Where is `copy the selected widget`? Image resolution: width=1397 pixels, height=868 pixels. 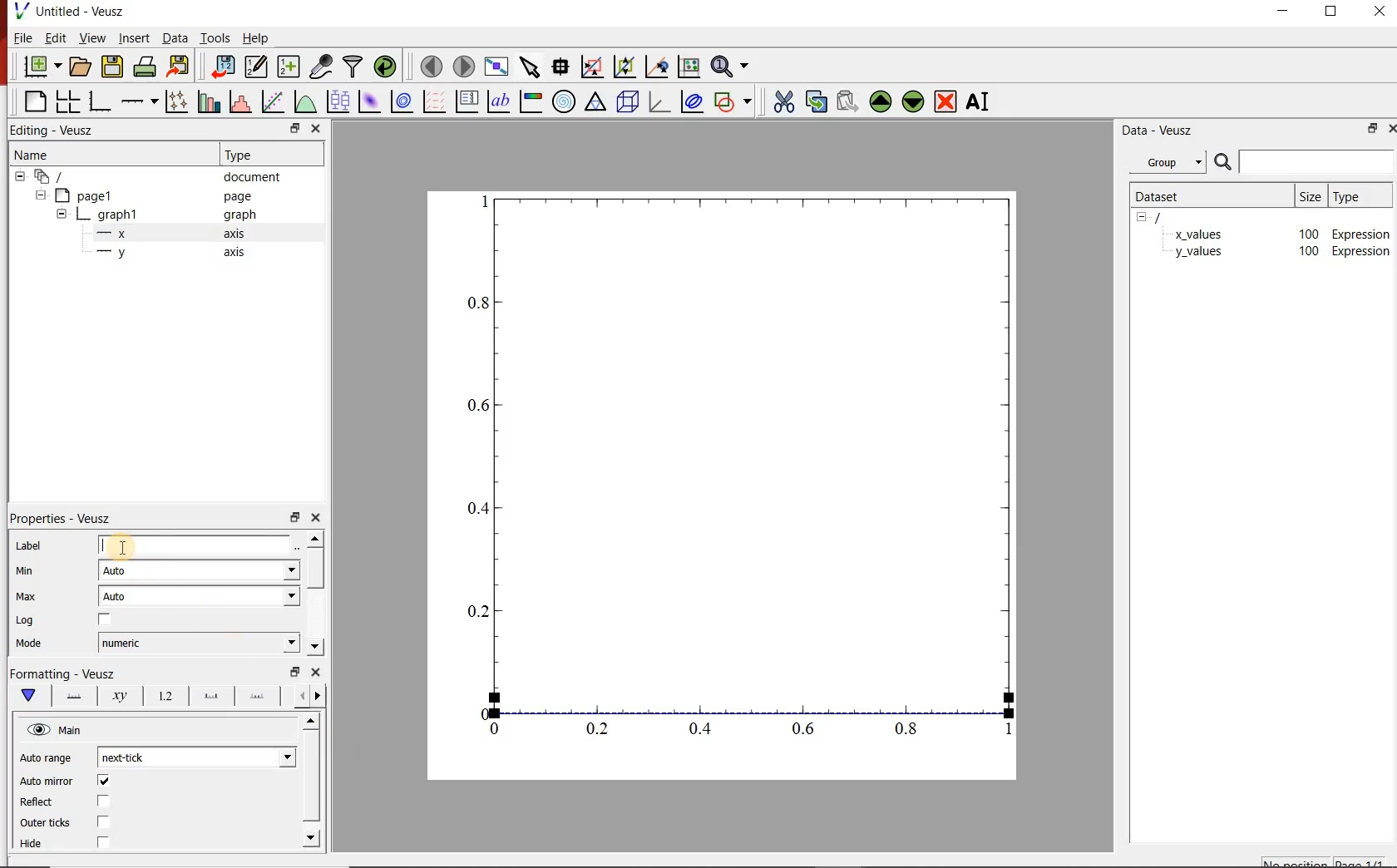
copy the selected widget is located at coordinates (815, 102).